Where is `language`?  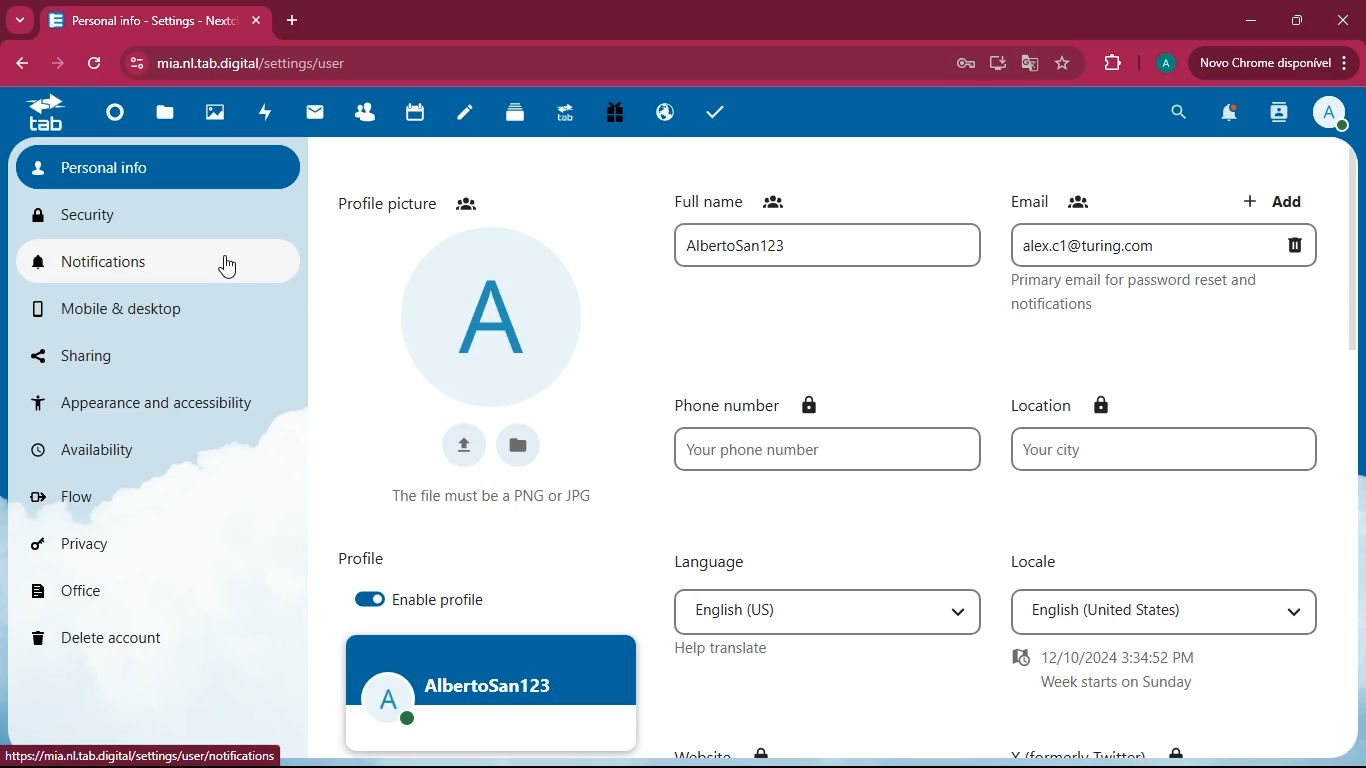 language is located at coordinates (709, 562).